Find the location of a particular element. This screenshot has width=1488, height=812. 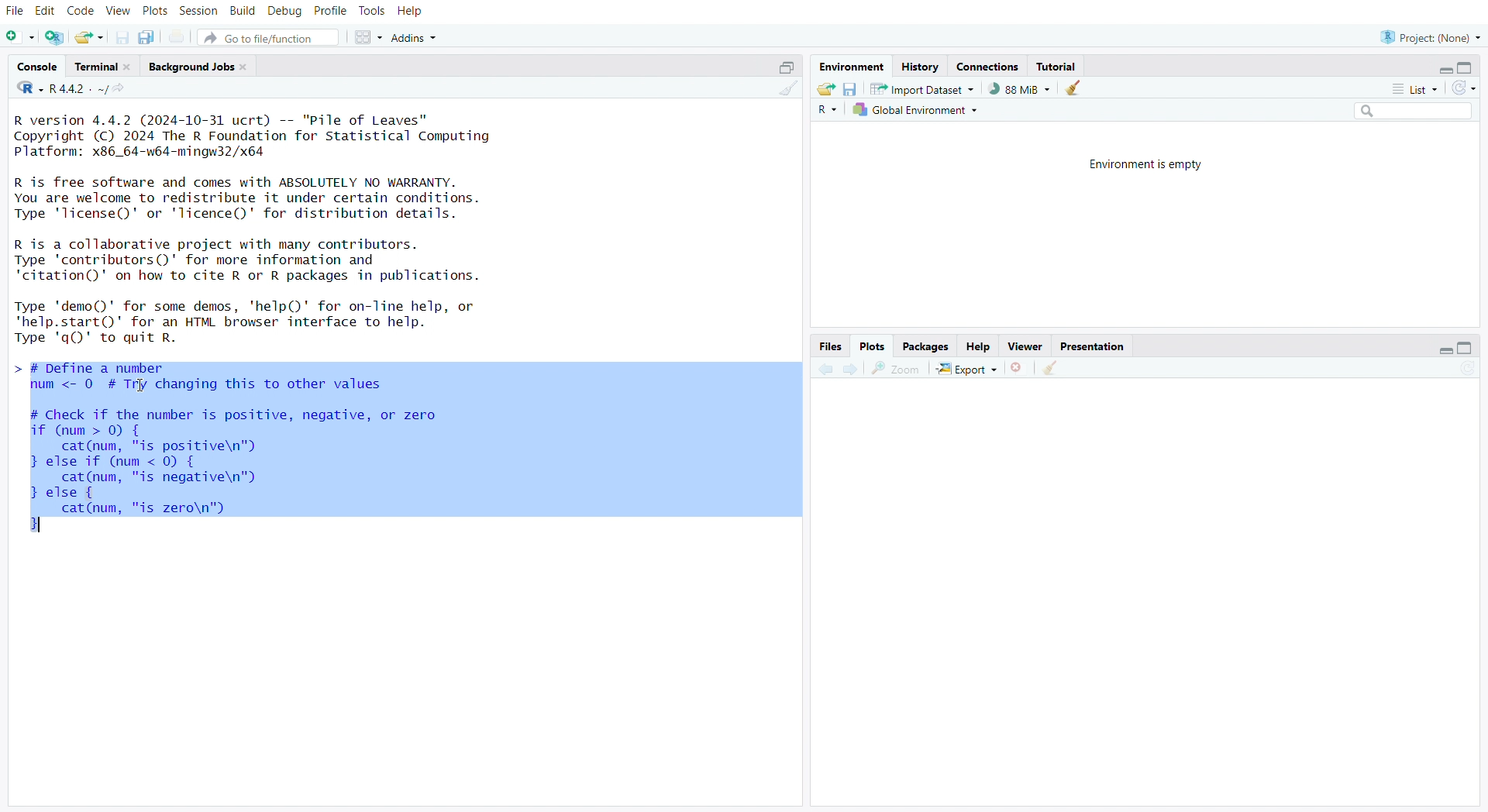

list is located at coordinates (1413, 89).